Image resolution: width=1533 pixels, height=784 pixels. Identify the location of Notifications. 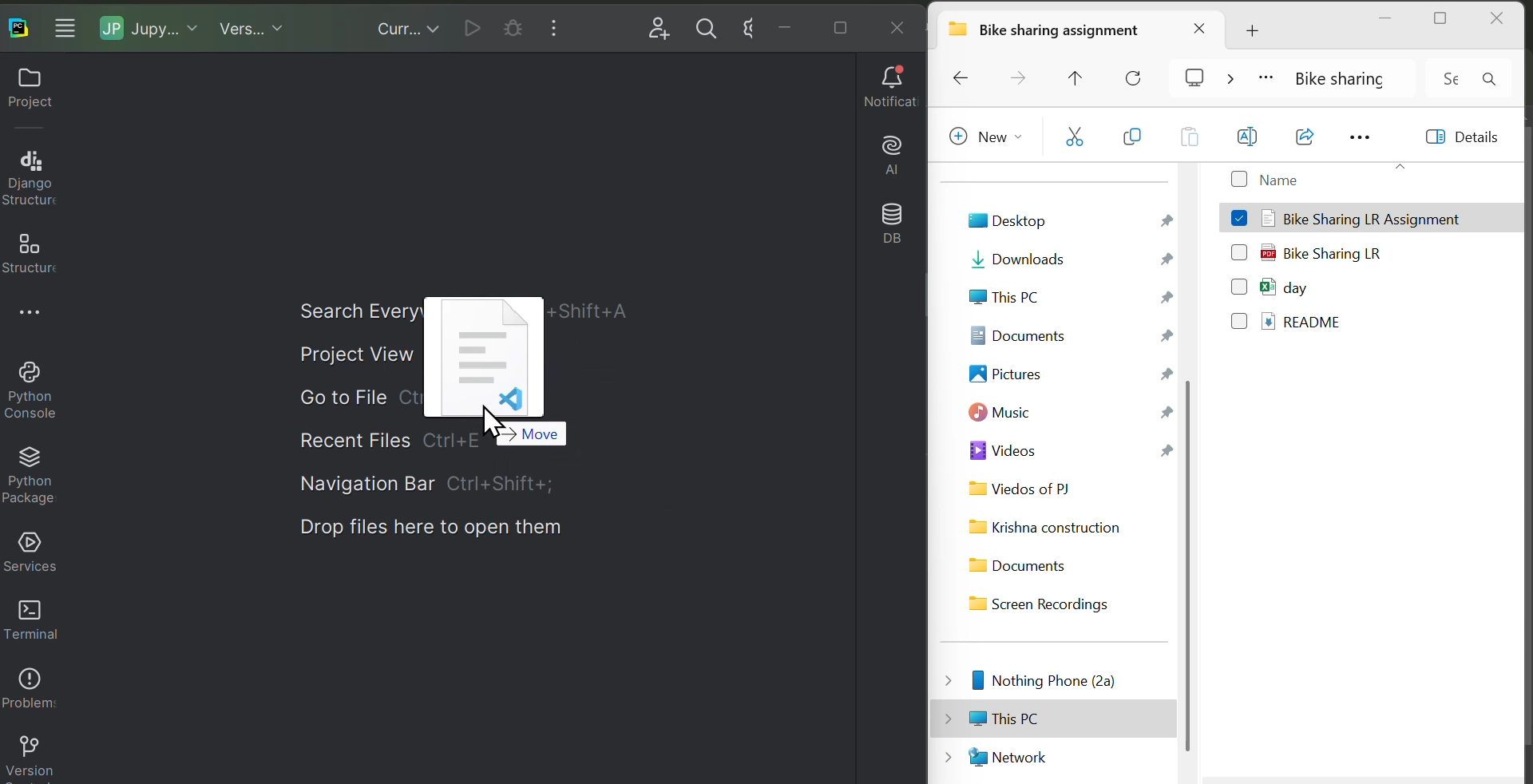
(885, 89).